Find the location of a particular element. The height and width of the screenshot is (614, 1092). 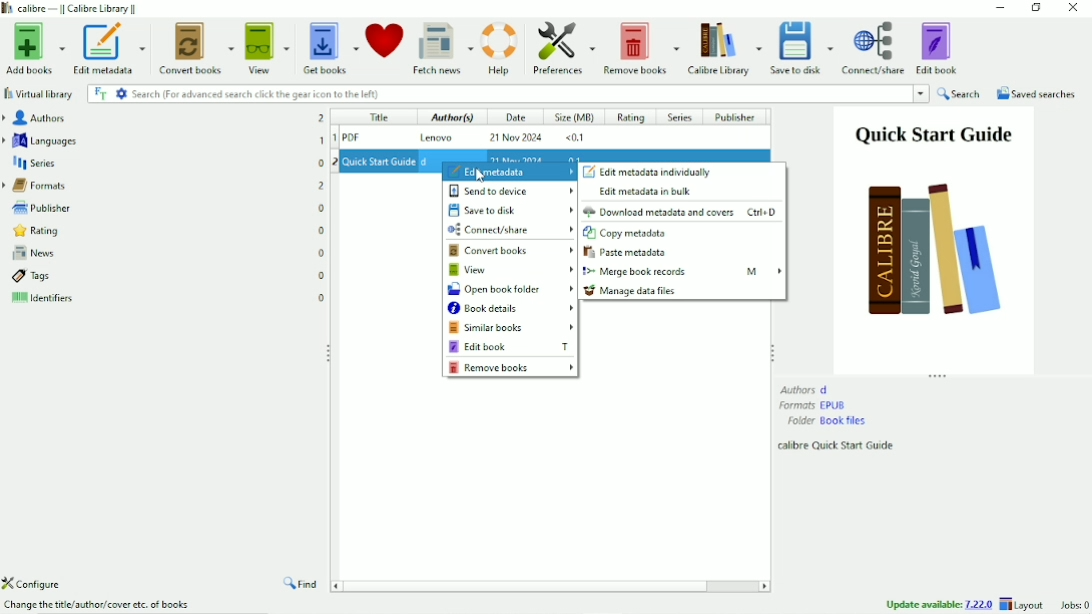

Horizontal scrollbar is located at coordinates (532, 585).